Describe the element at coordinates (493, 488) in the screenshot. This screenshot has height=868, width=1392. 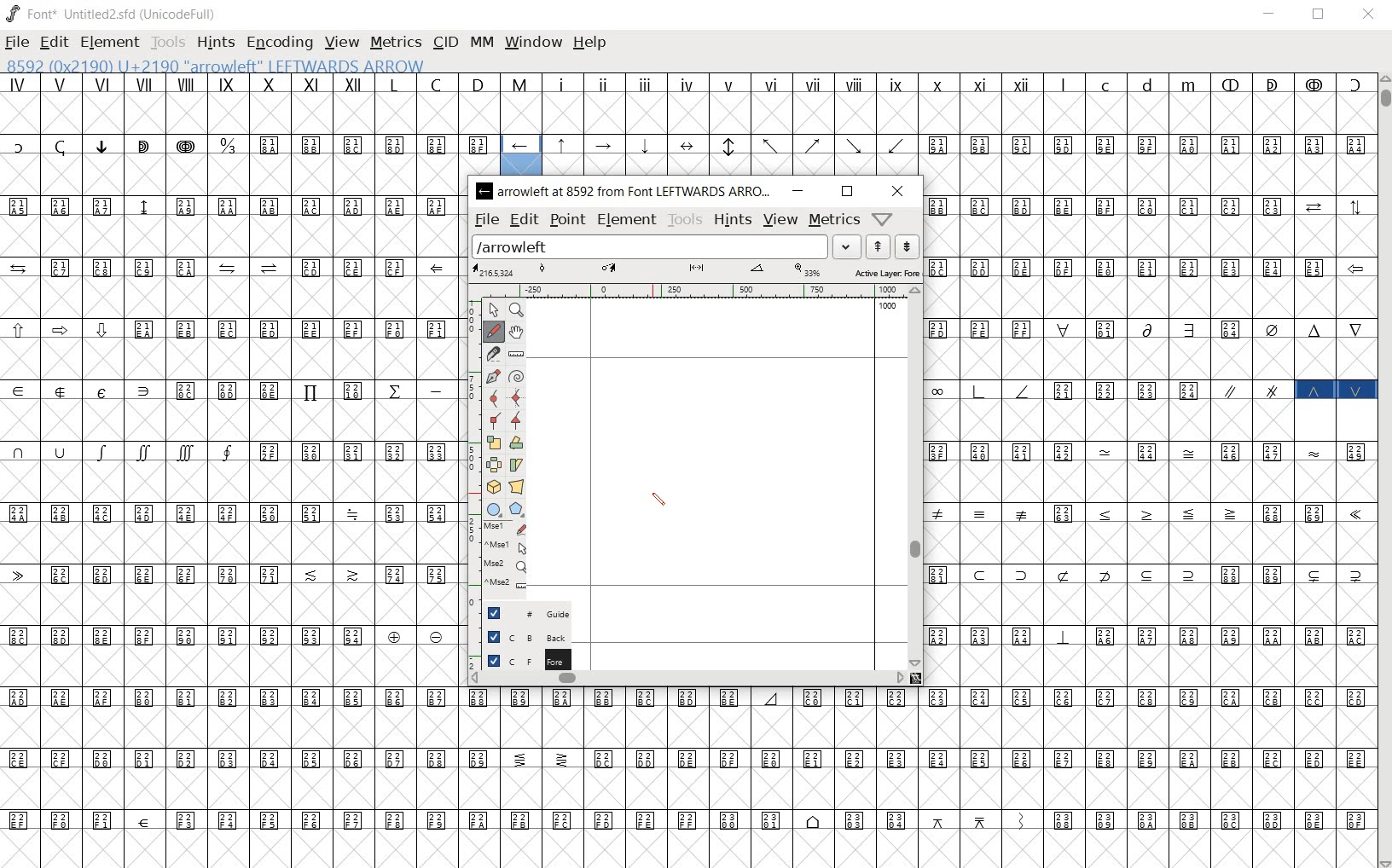
I see `rotate the selection in 3D and project back to plane` at that location.